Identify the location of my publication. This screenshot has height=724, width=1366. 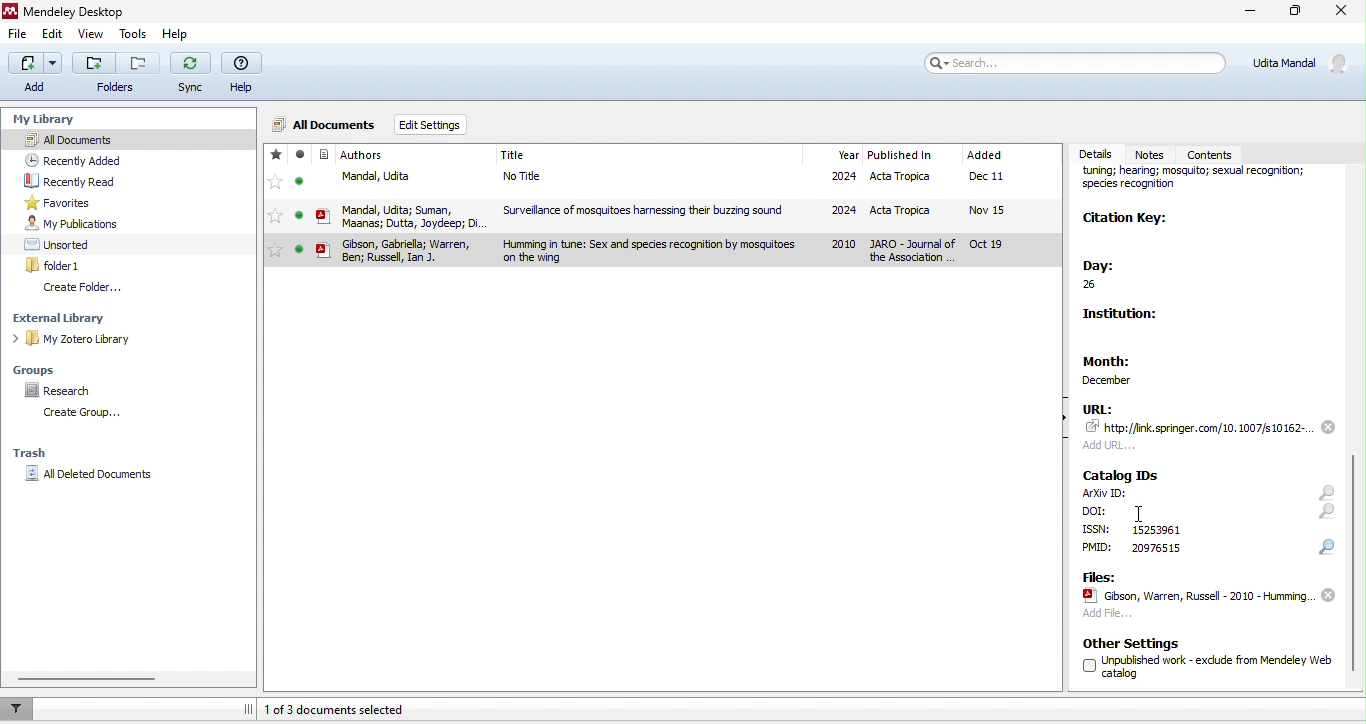
(72, 224).